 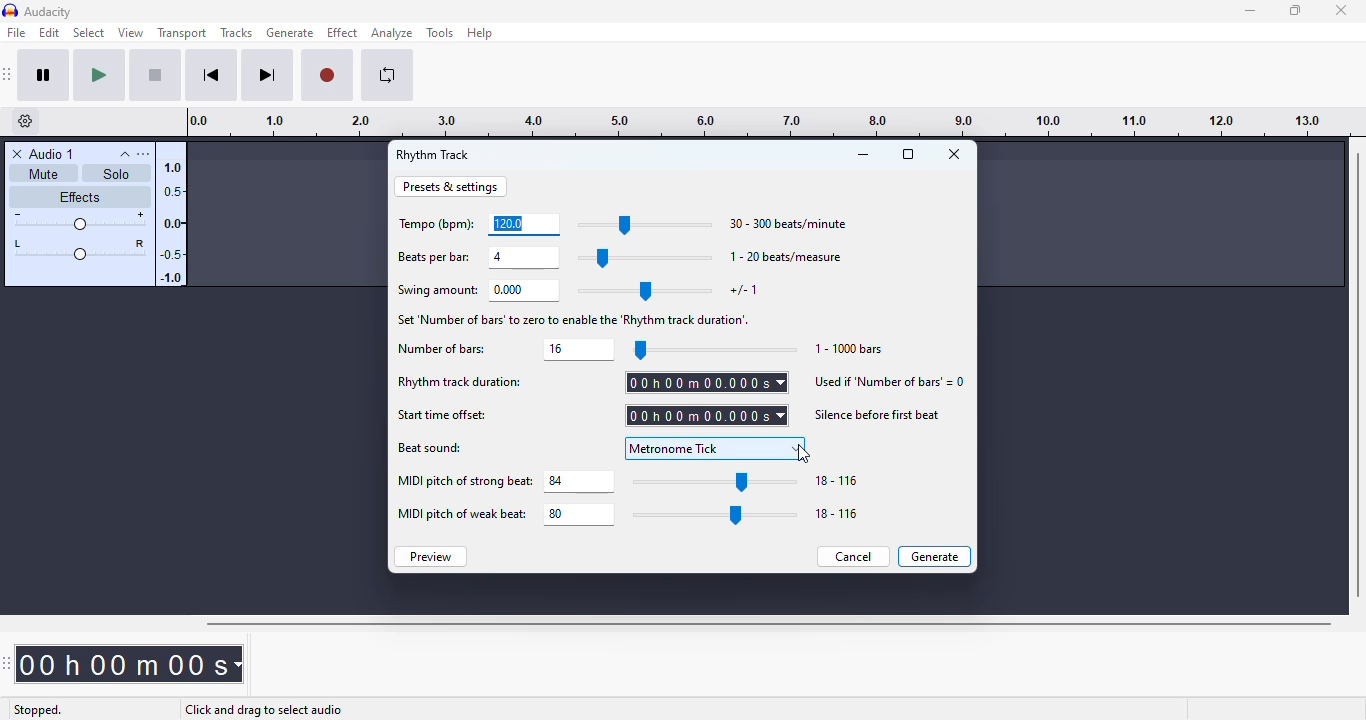 I want to click on pan, so click(x=79, y=248).